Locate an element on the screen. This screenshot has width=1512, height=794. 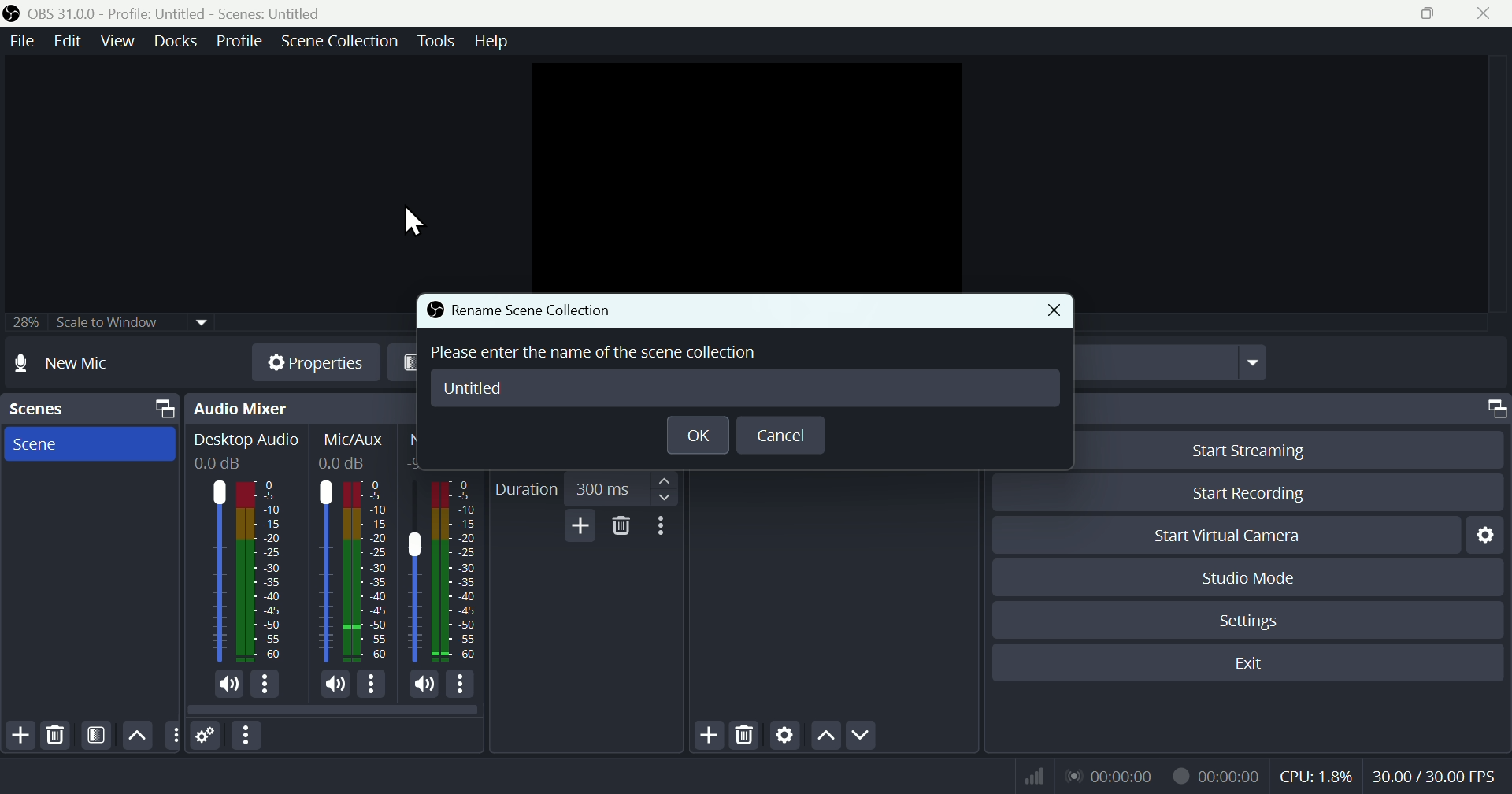
Add is located at coordinates (17, 734).